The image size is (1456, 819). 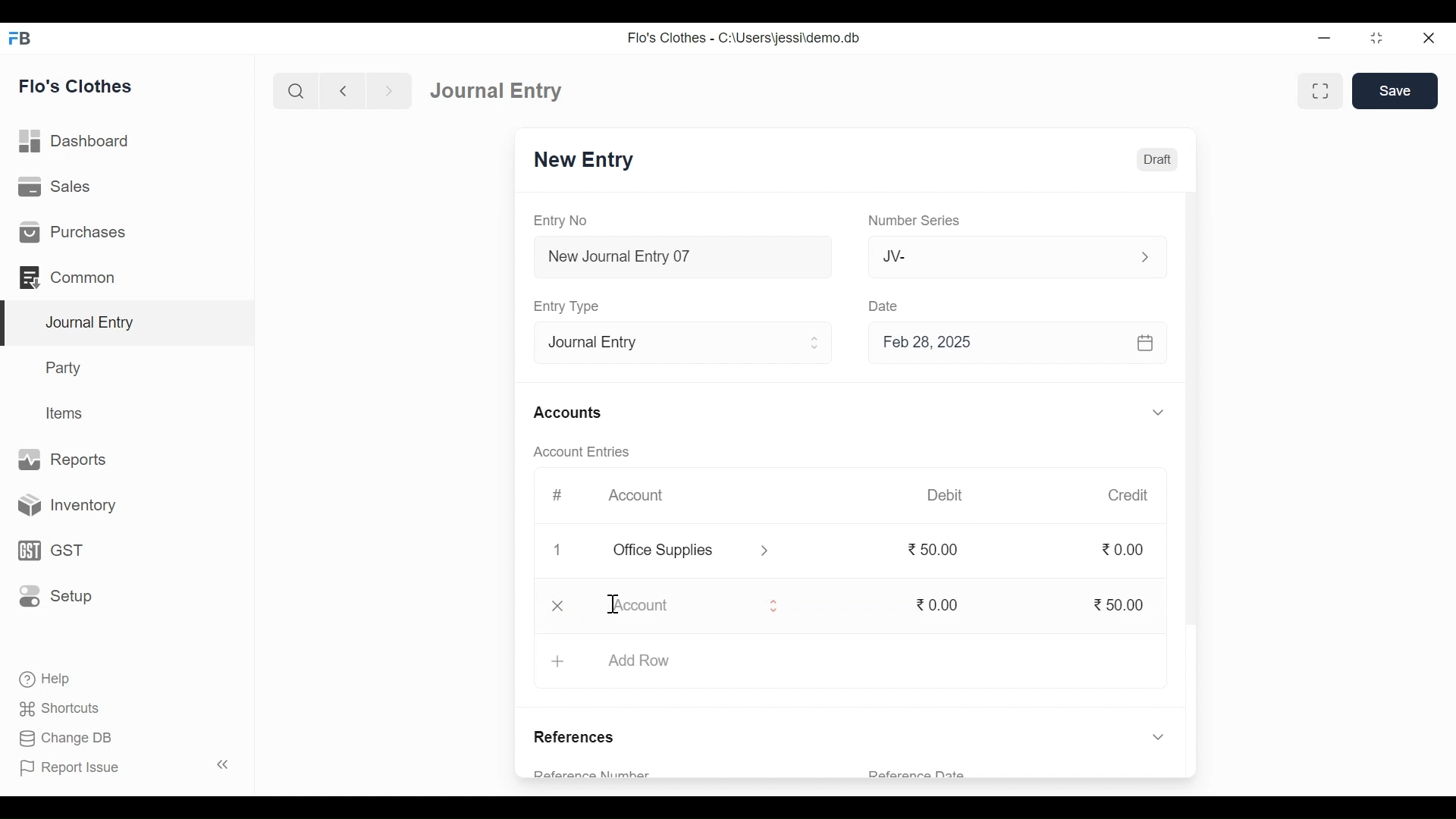 I want to click on Expand, so click(x=773, y=606).